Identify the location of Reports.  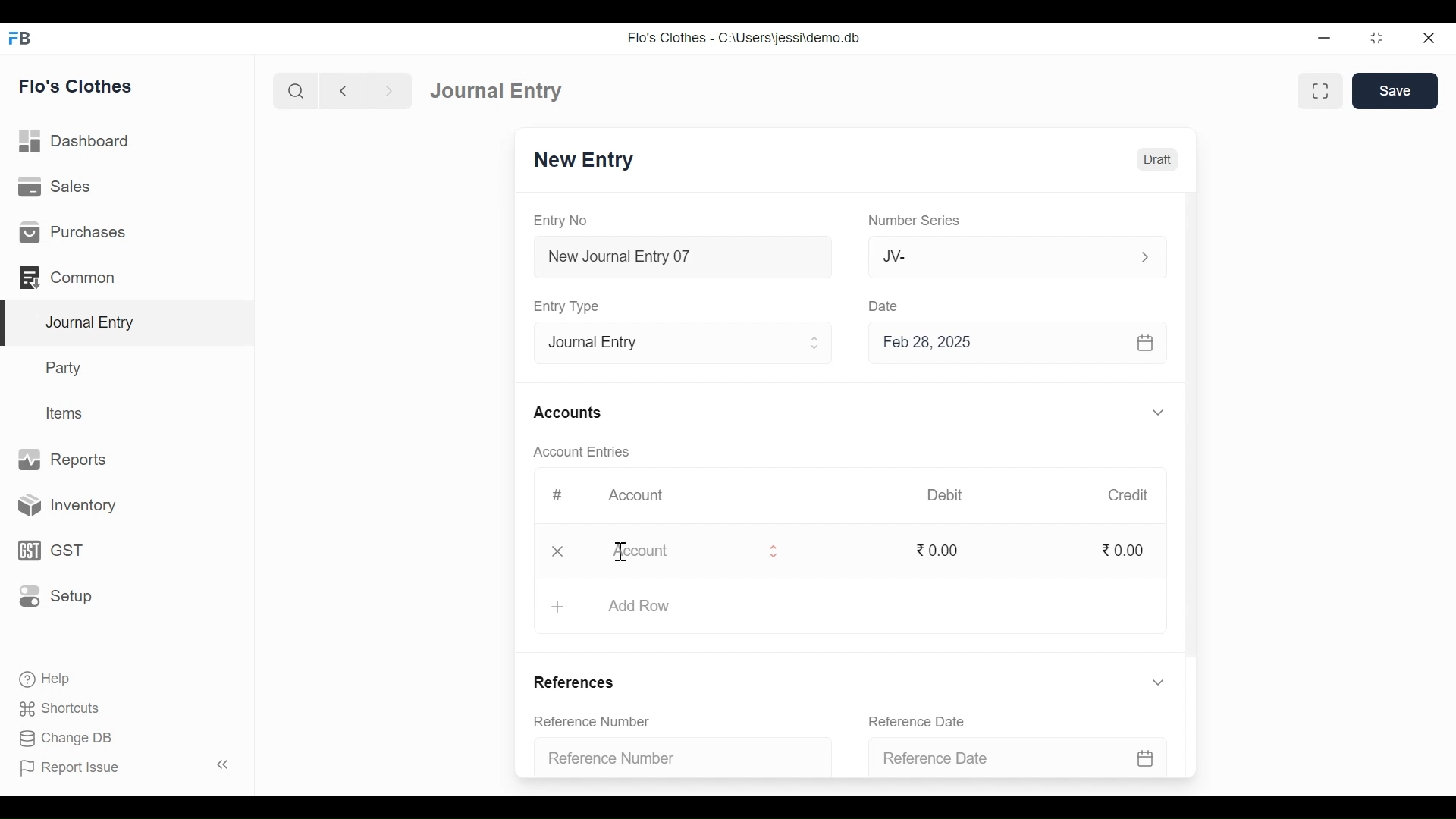
(64, 458).